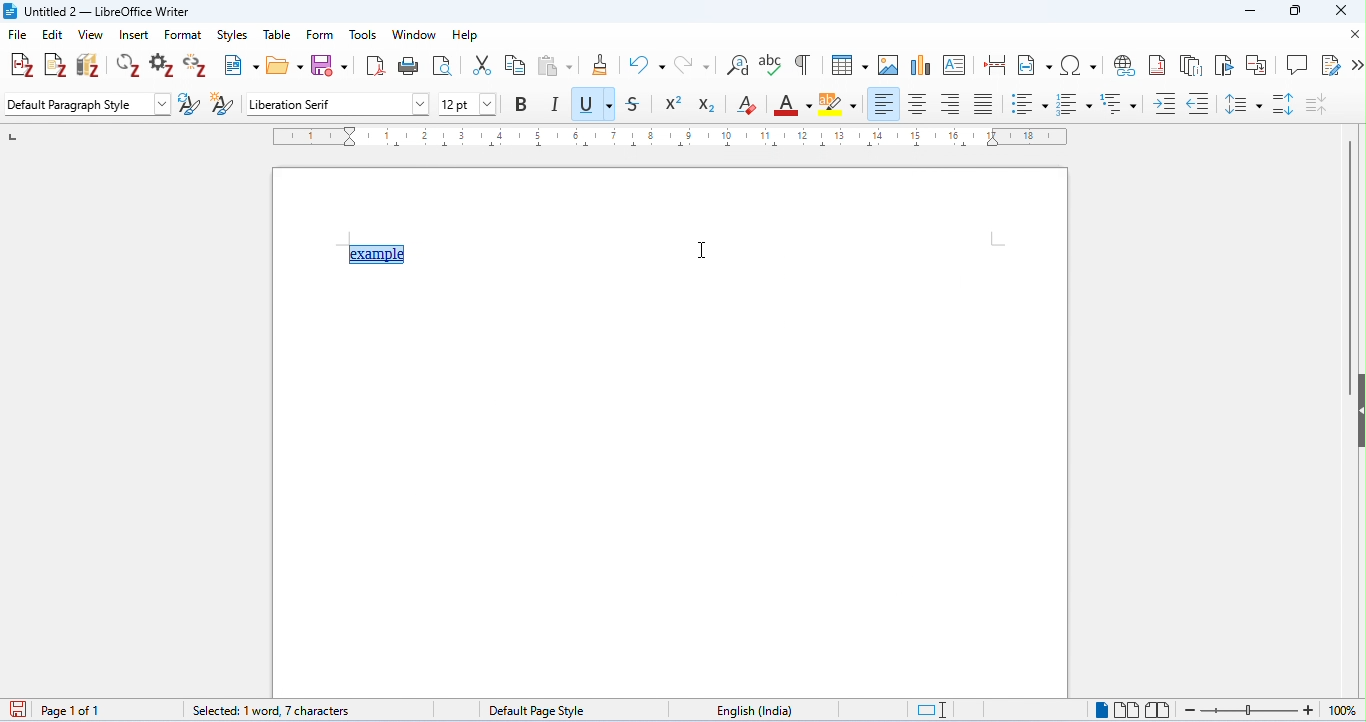 This screenshot has height=722, width=1366. What do you see at coordinates (1357, 413) in the screenshot?
I see `hide` at bounding box center [1357, 413].